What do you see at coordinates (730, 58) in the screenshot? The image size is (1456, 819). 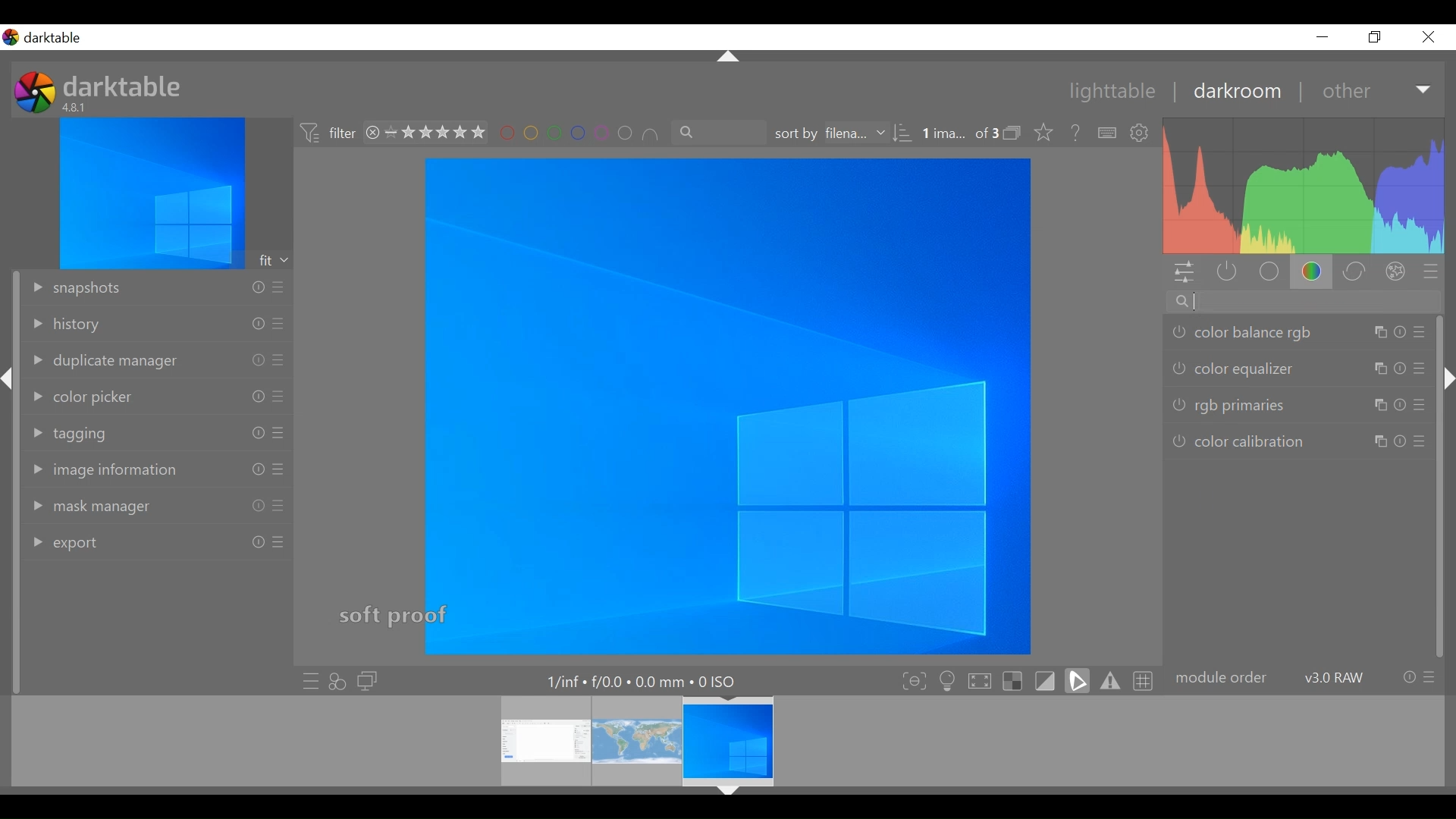 I see `Collapse ` at bounding box center [730, 58].